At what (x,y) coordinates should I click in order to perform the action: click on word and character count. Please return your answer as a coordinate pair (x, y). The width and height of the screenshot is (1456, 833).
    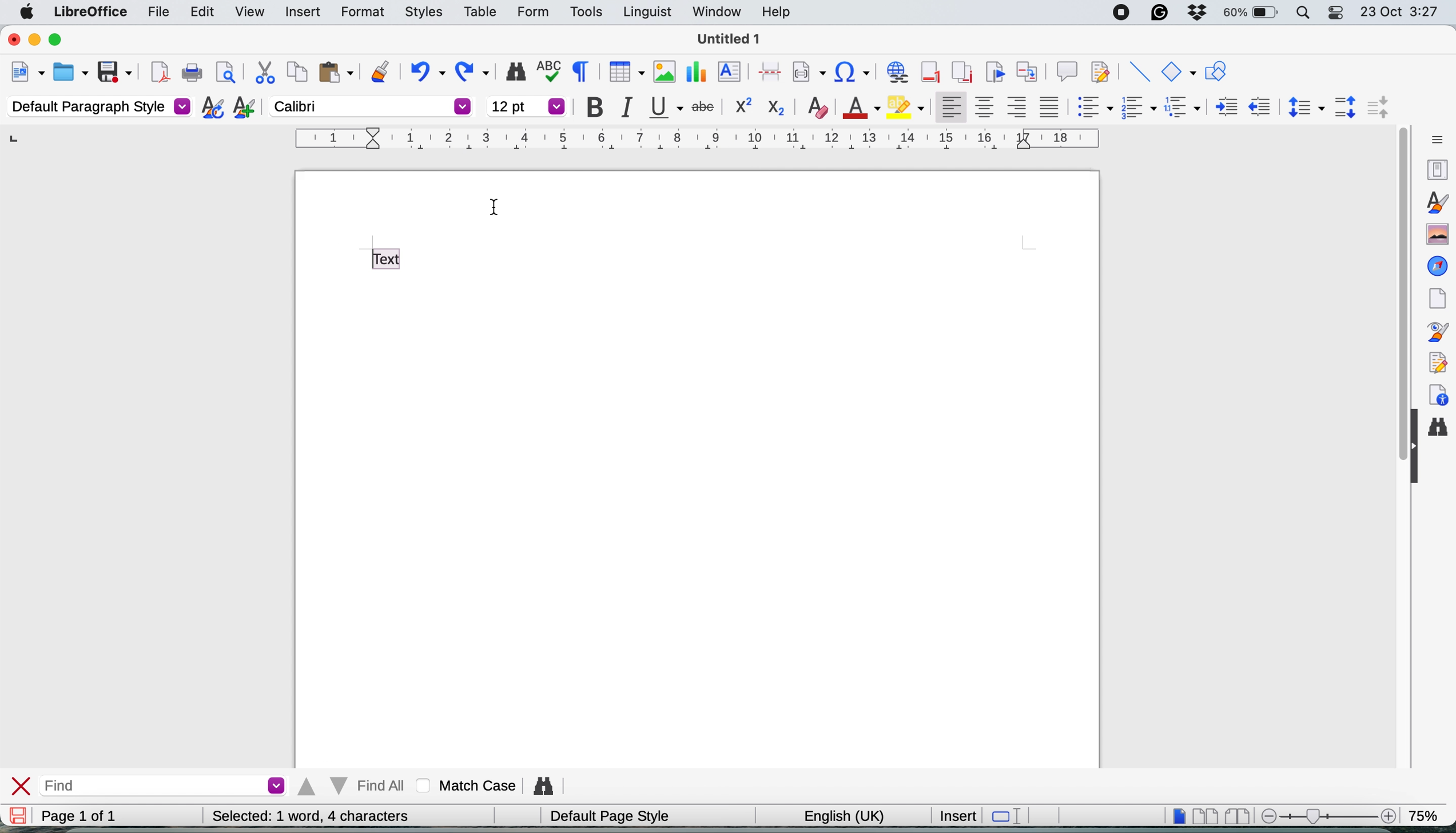
    Looking at the image, I should click on (279, 816).